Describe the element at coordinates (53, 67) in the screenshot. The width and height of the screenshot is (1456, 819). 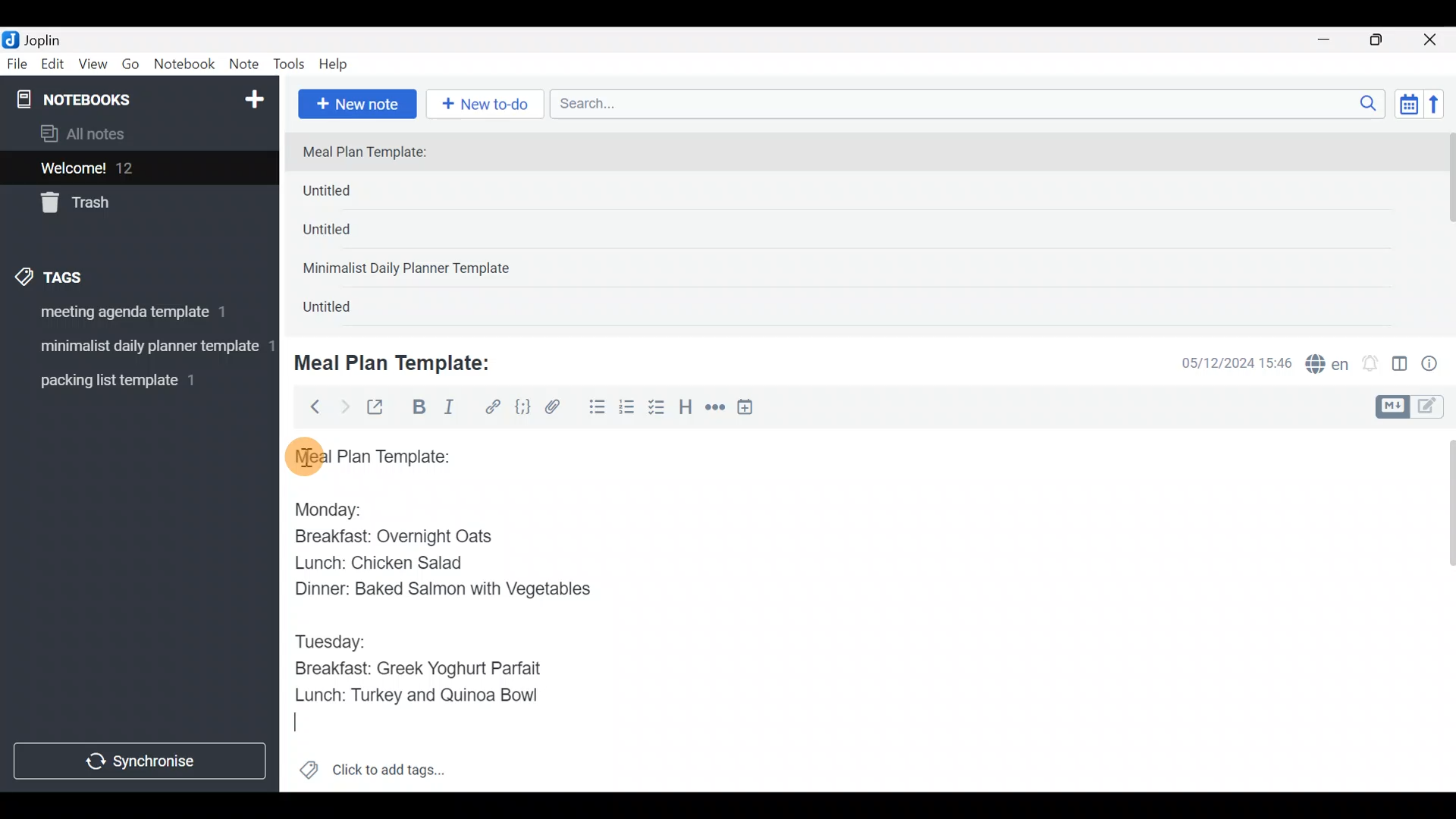
I see `Edit` at that location.